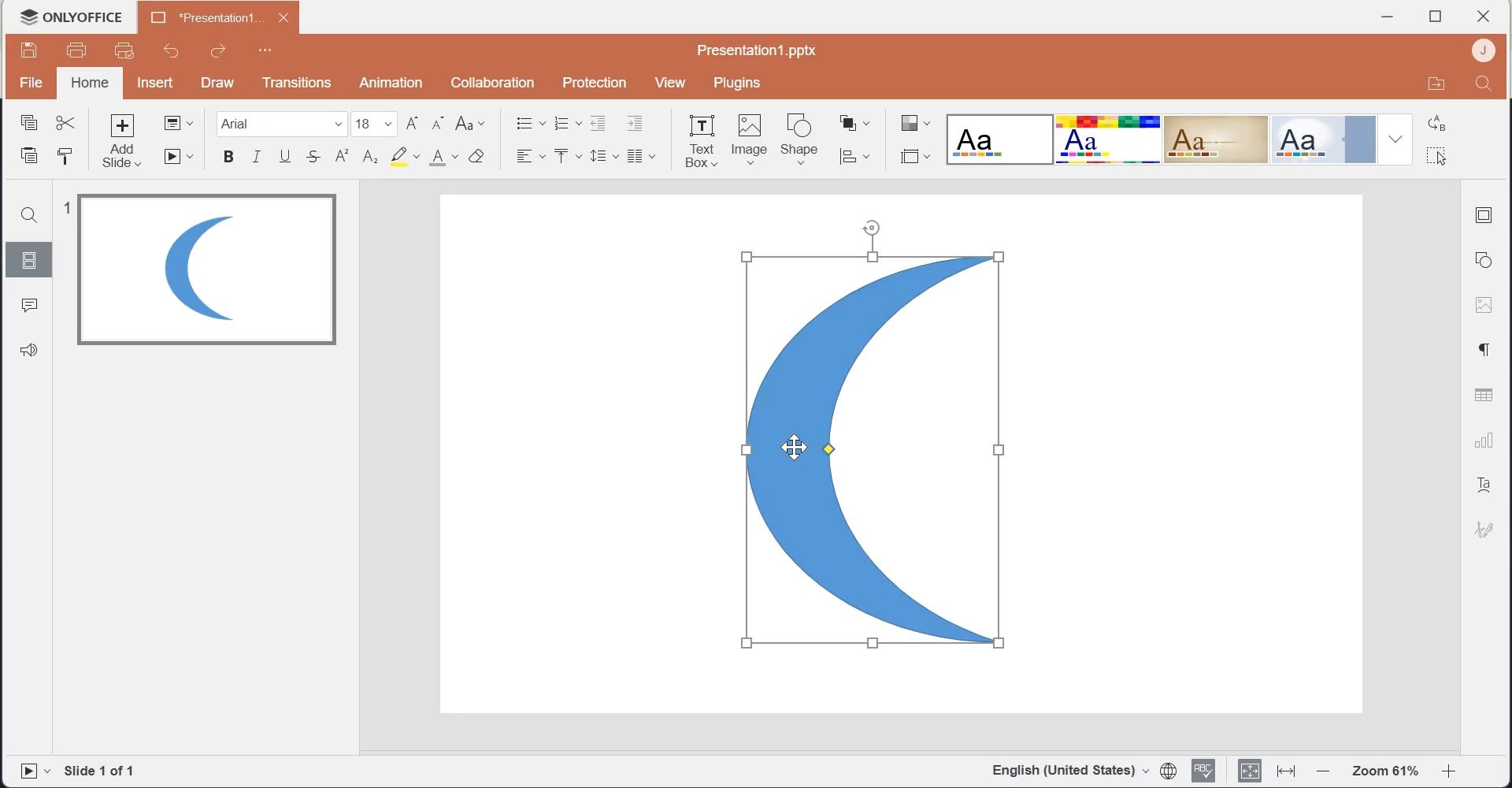 Image resolution: width=1512 pixels, height=788 pixels. Describe the element at coordinates (1064, 773) in the screenshot. I see `English(United Stated)` at that location.